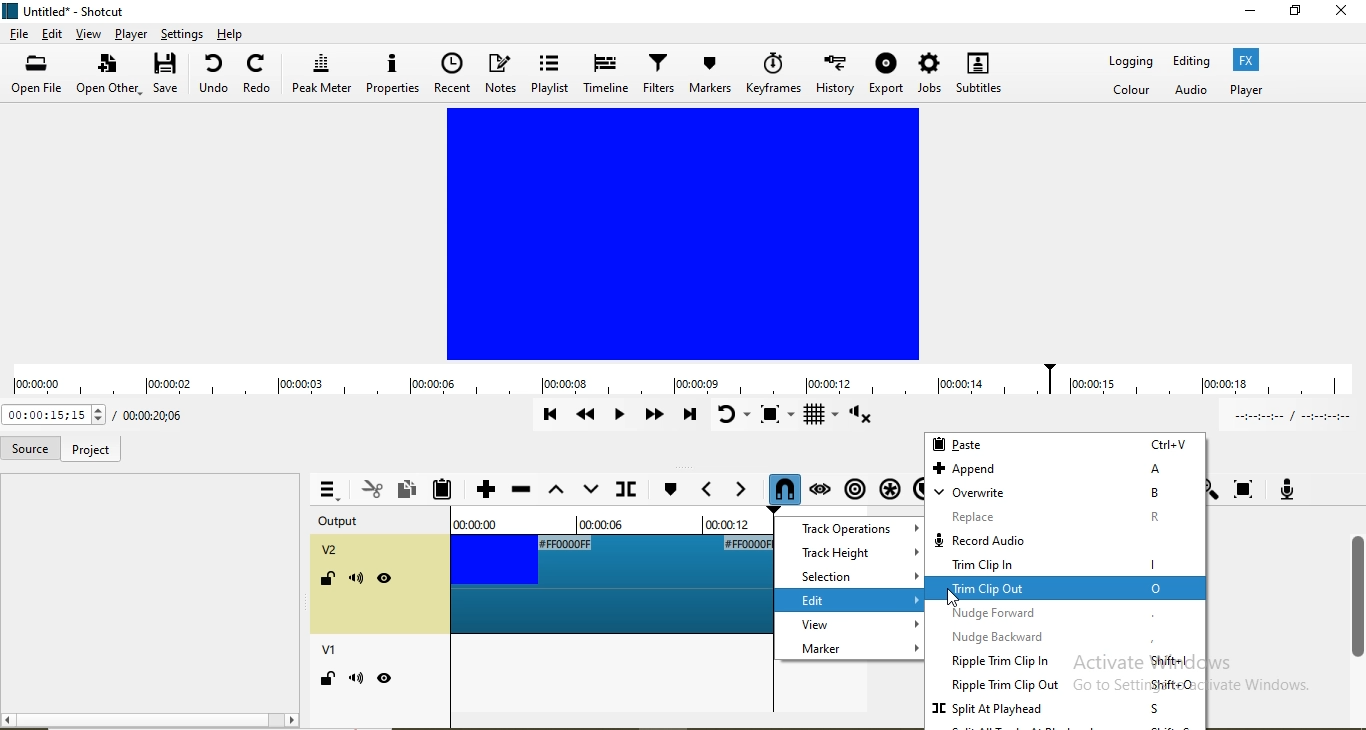 The width and height of the screenshot is (1366, 730). Describe the element at coordinates (550, 415) in the screenshot. I see `Skip to previous` at that location.